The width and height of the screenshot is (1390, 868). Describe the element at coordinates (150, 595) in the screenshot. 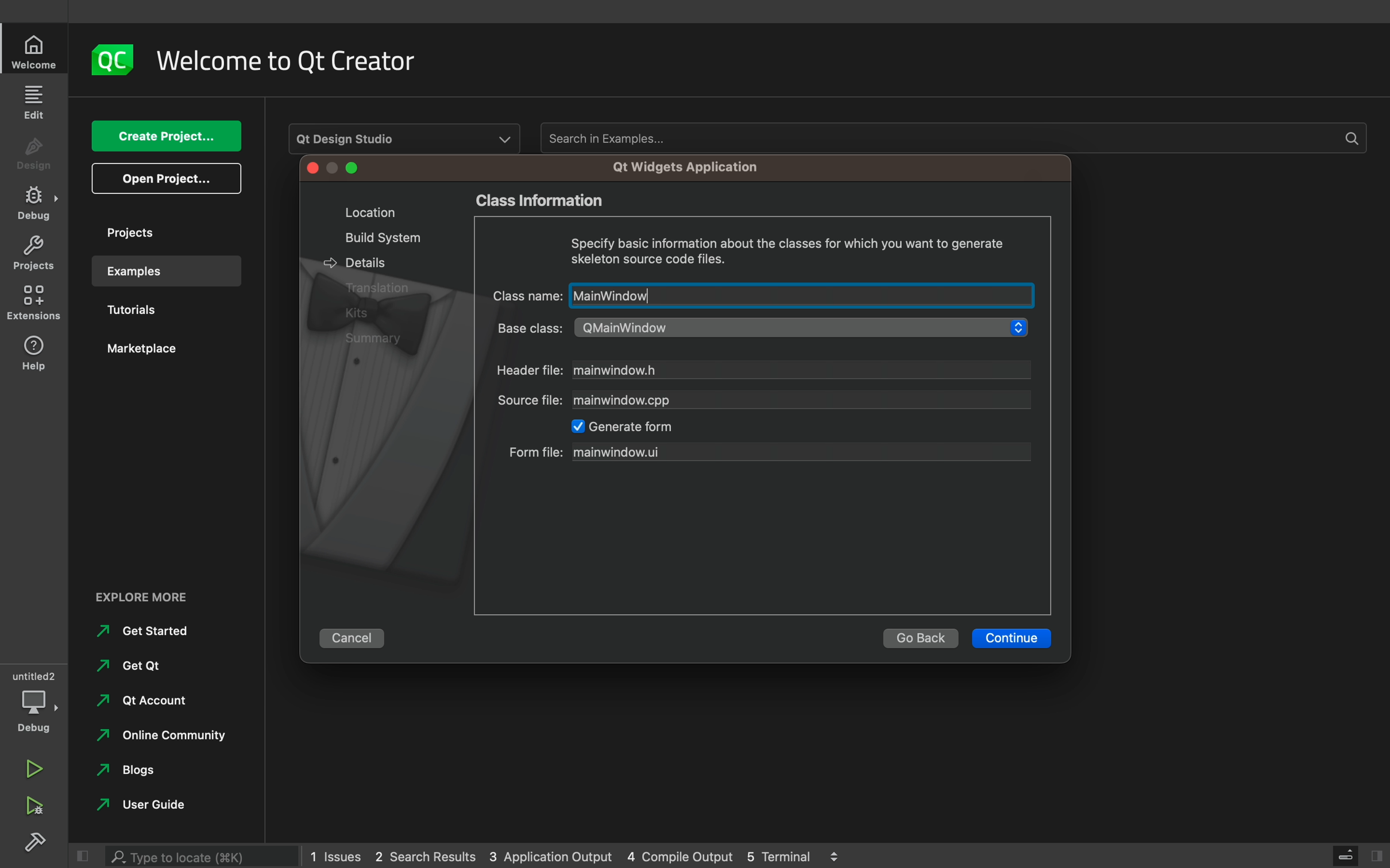

I see `explore more` at that location.